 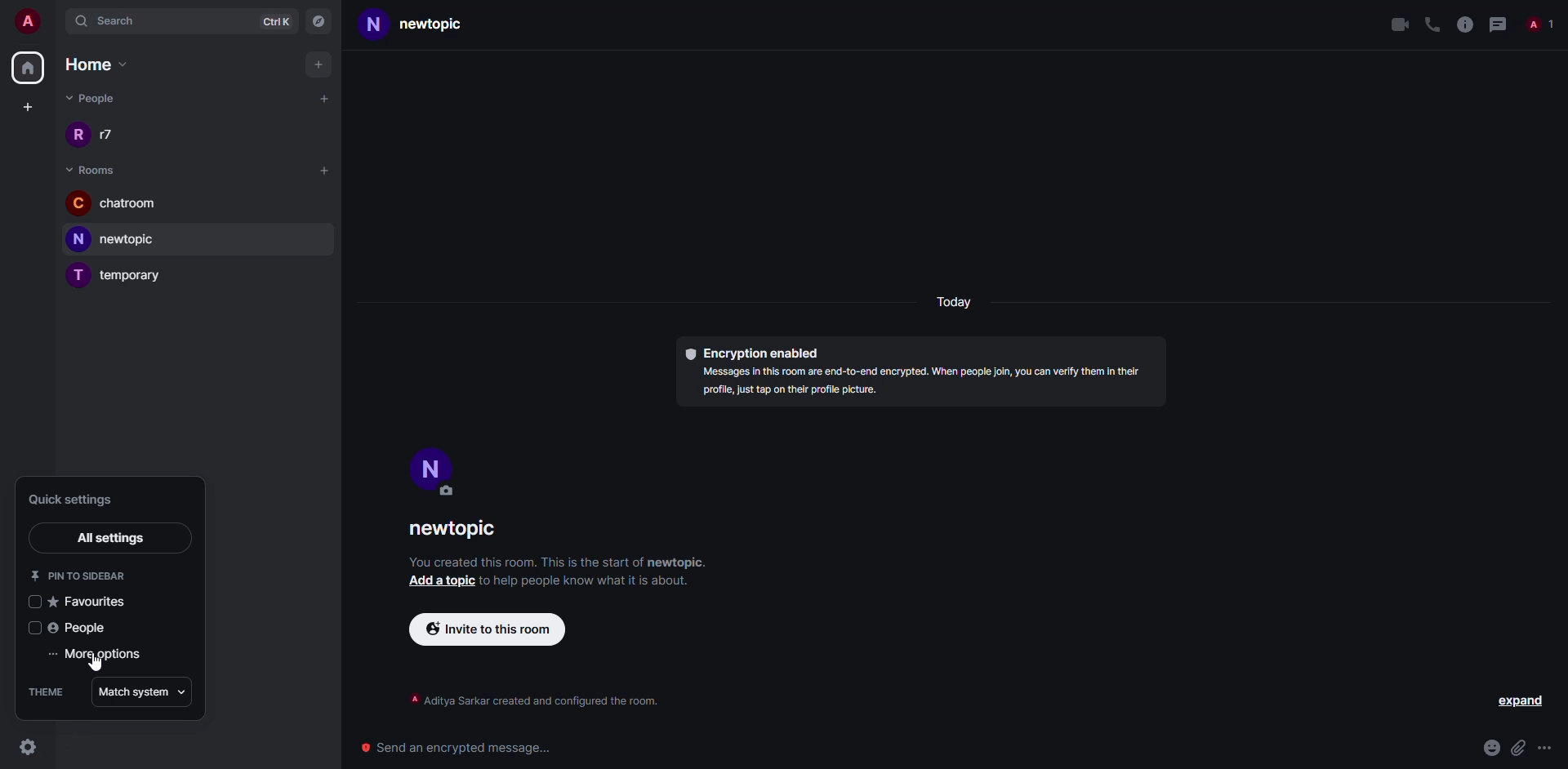 What do you see at coordinates (319, 20) in the screenshot?
I see `navigator` at bounding box center [319, 20].